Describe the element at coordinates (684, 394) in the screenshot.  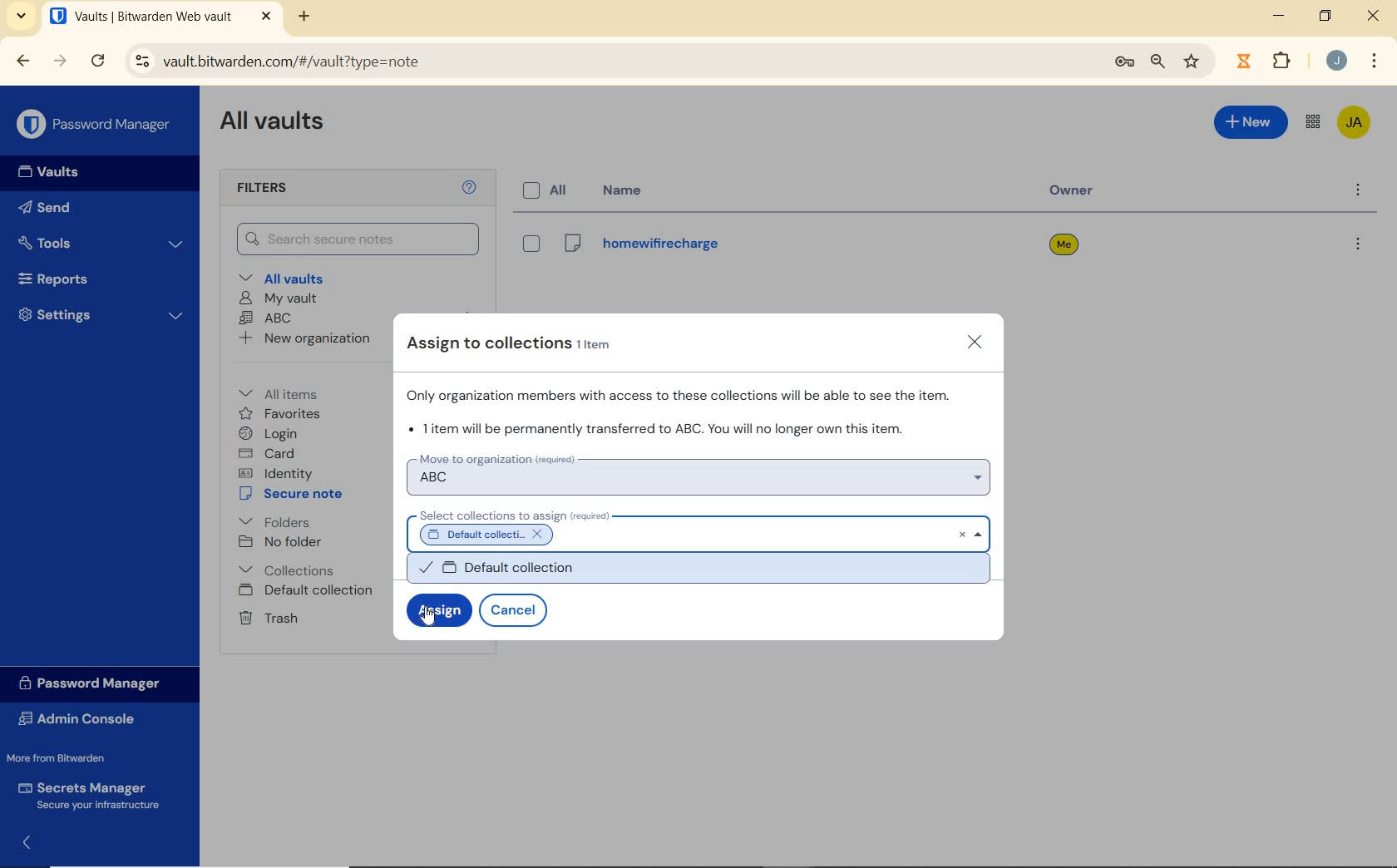
I see `Organization members will access these collections` at that location.